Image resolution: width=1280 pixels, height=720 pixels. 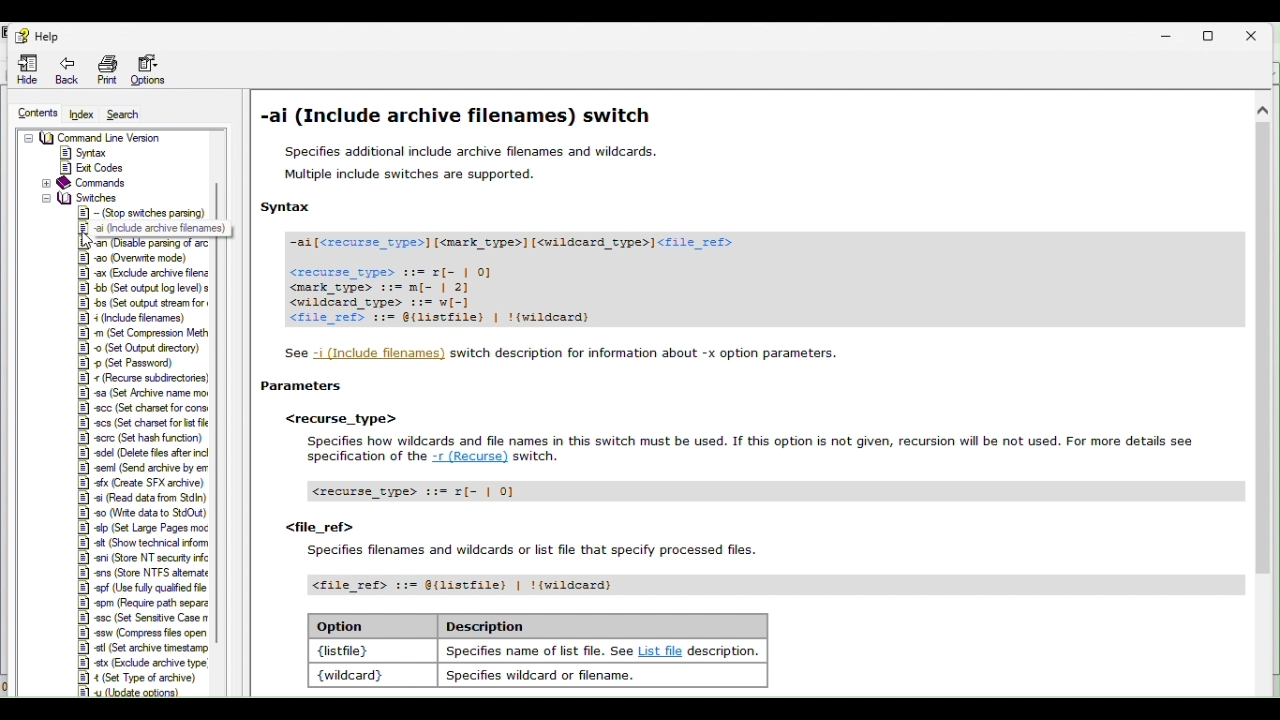 I want to click on J. 9 (include archive filenames), so click(x=154, y=230).